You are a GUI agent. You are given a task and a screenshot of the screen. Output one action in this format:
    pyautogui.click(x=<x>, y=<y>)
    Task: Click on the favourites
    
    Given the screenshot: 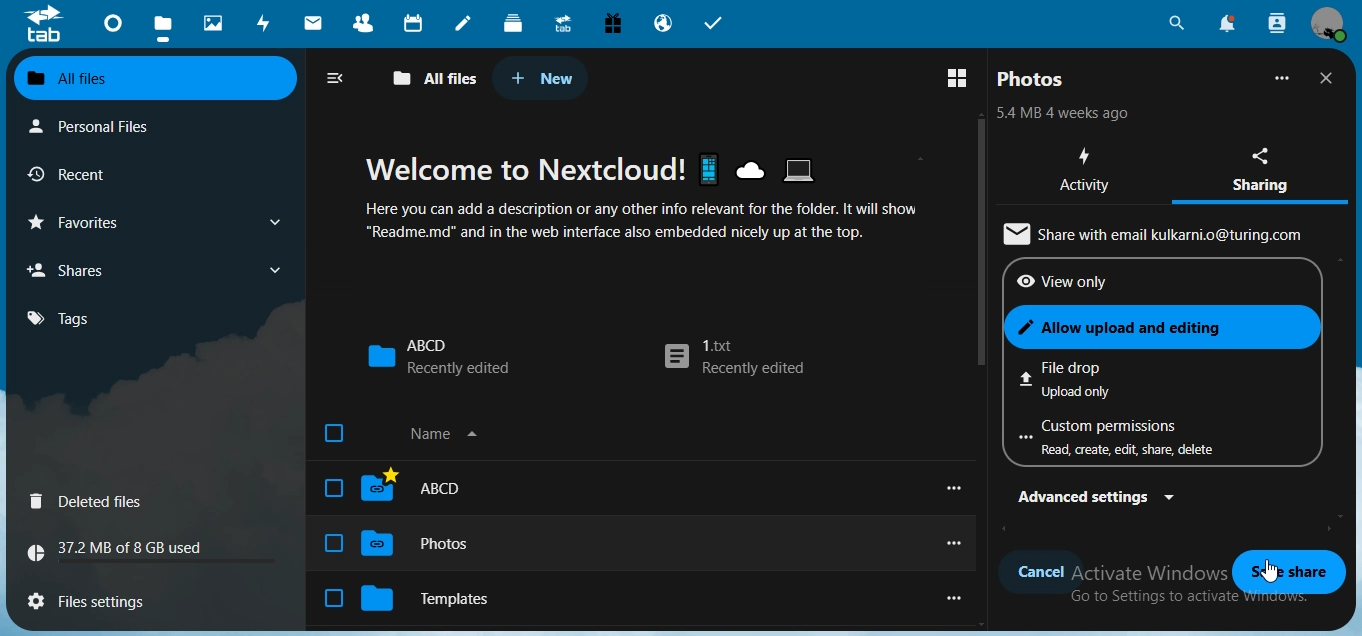 What is the action you would take?
    pyautogui.click(x=152, y=222)
    